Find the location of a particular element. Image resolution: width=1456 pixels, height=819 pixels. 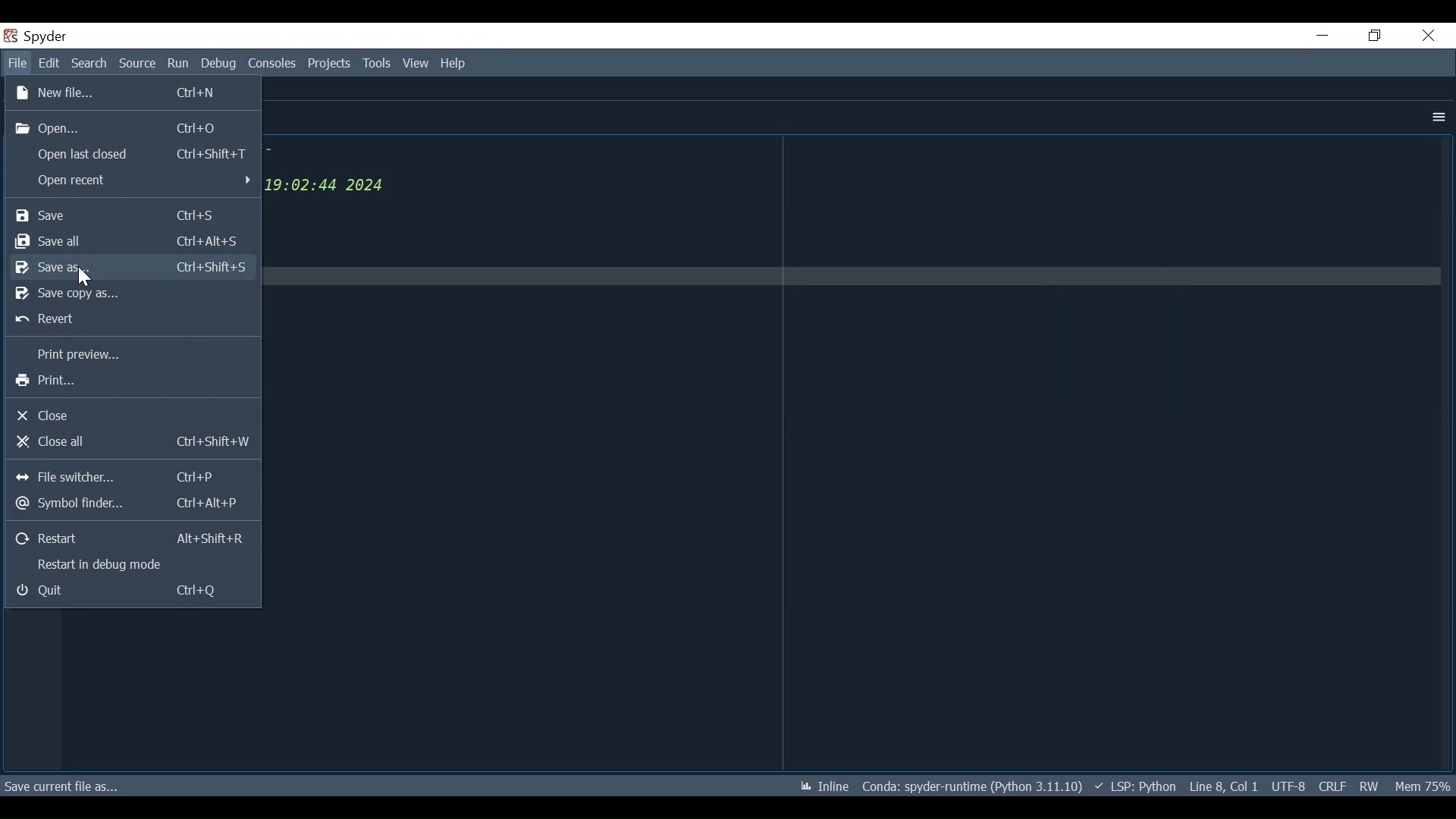

Language is located at coordinates (1131, 786).